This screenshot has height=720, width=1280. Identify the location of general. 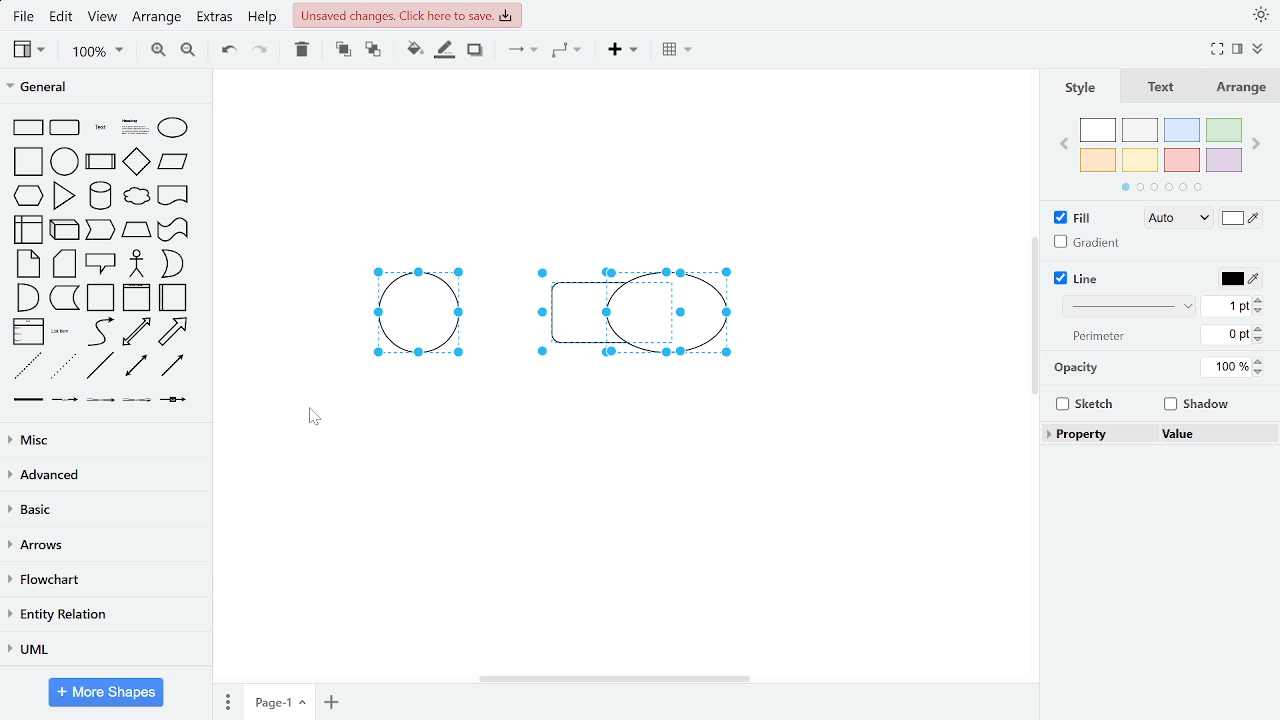
(102, 88).